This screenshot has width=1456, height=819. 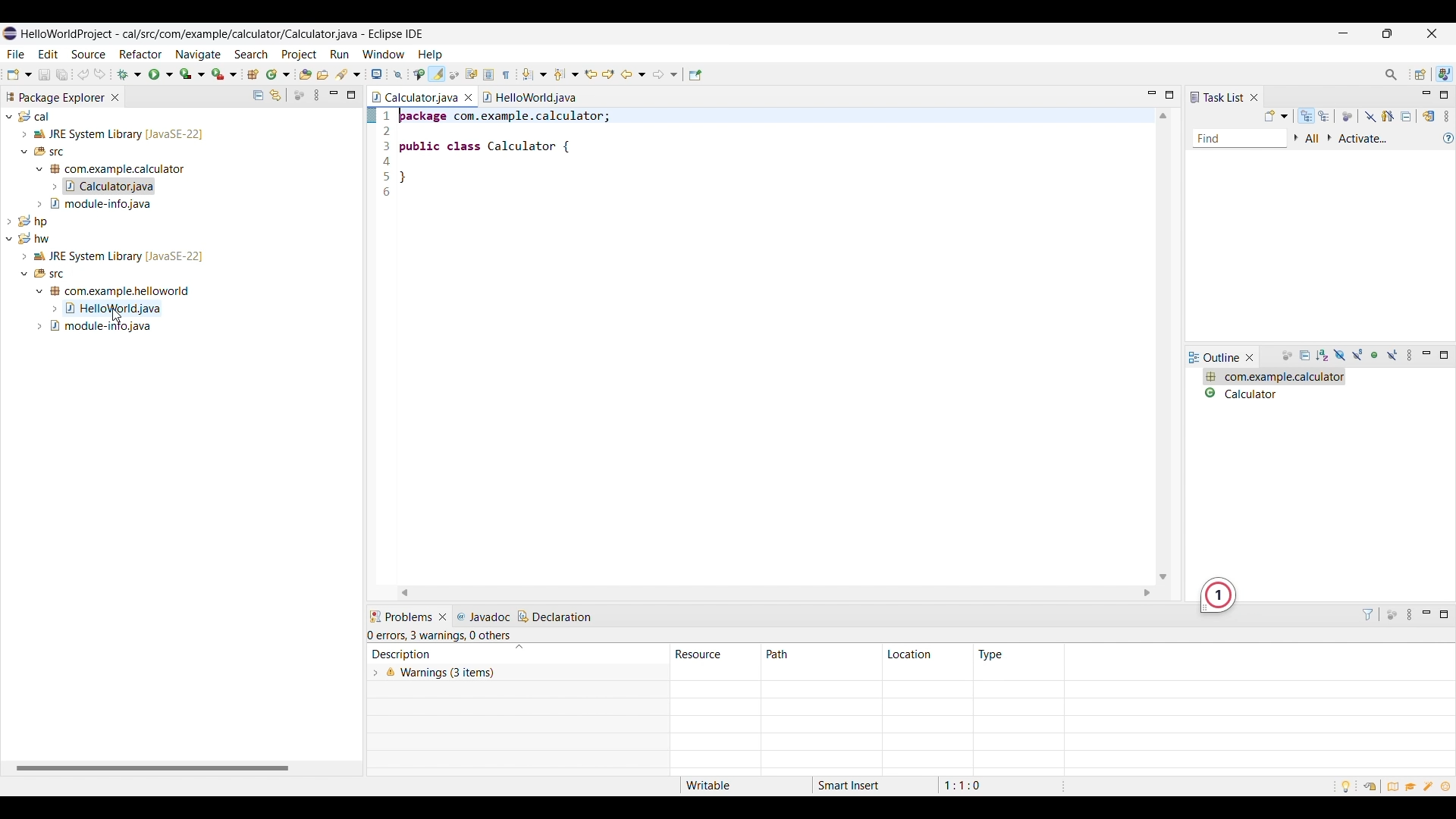 What do you see at coordinates (1444, 355) in the screenshot?
I see `Maximize` at bounding box center [1444, 355].